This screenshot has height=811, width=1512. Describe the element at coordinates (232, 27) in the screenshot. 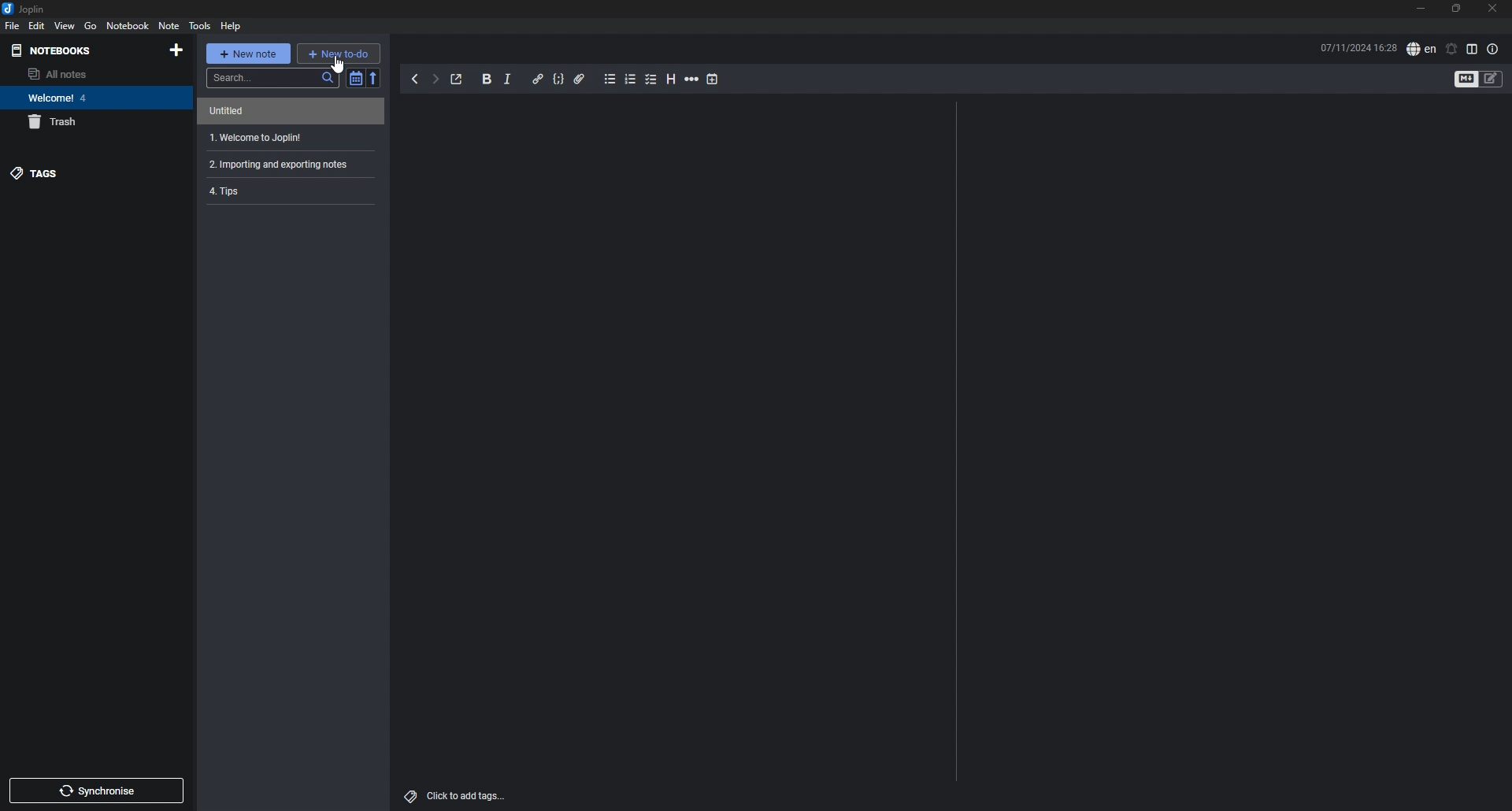

I see `help` at that location.